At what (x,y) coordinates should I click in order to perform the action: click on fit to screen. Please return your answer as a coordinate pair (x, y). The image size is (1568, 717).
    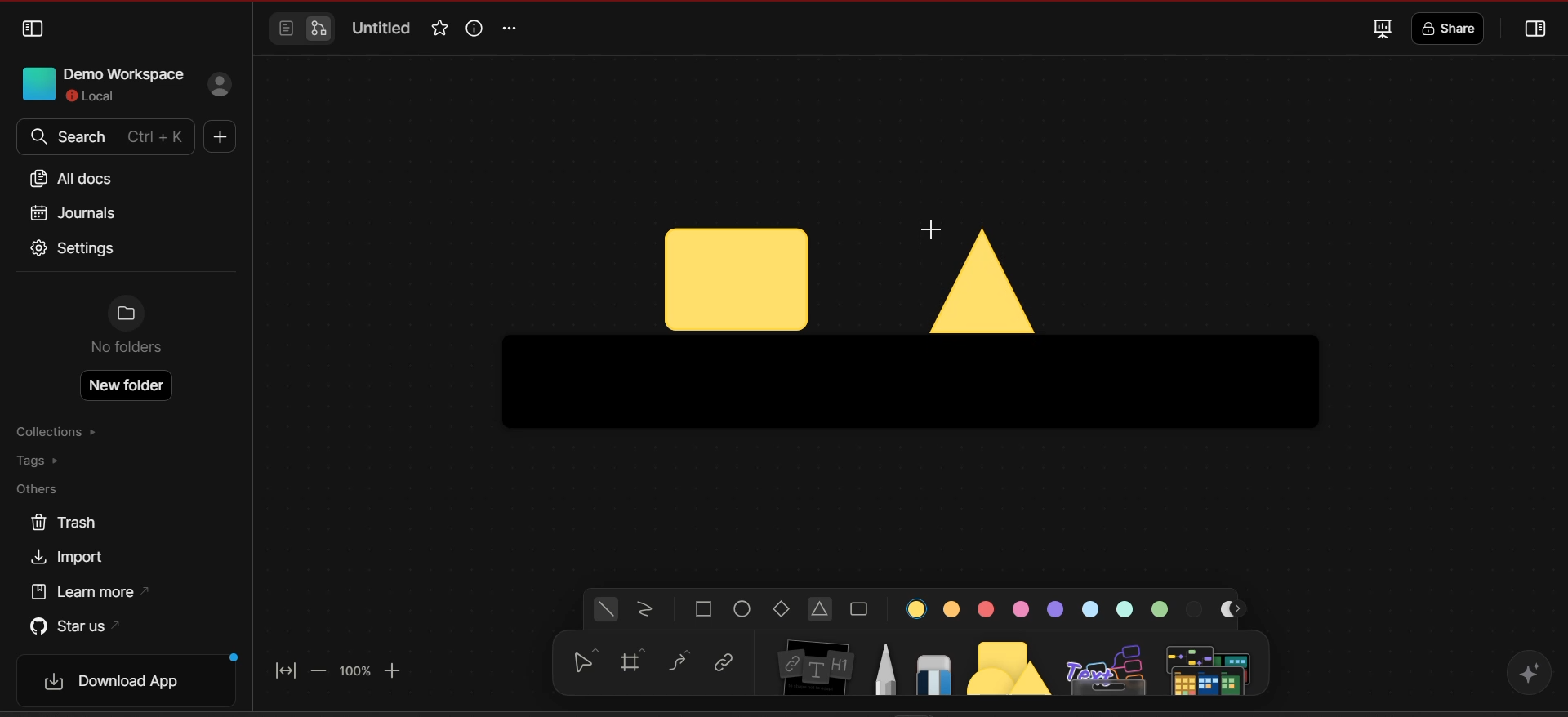
    Looking at the image, I should click on (289, 668).